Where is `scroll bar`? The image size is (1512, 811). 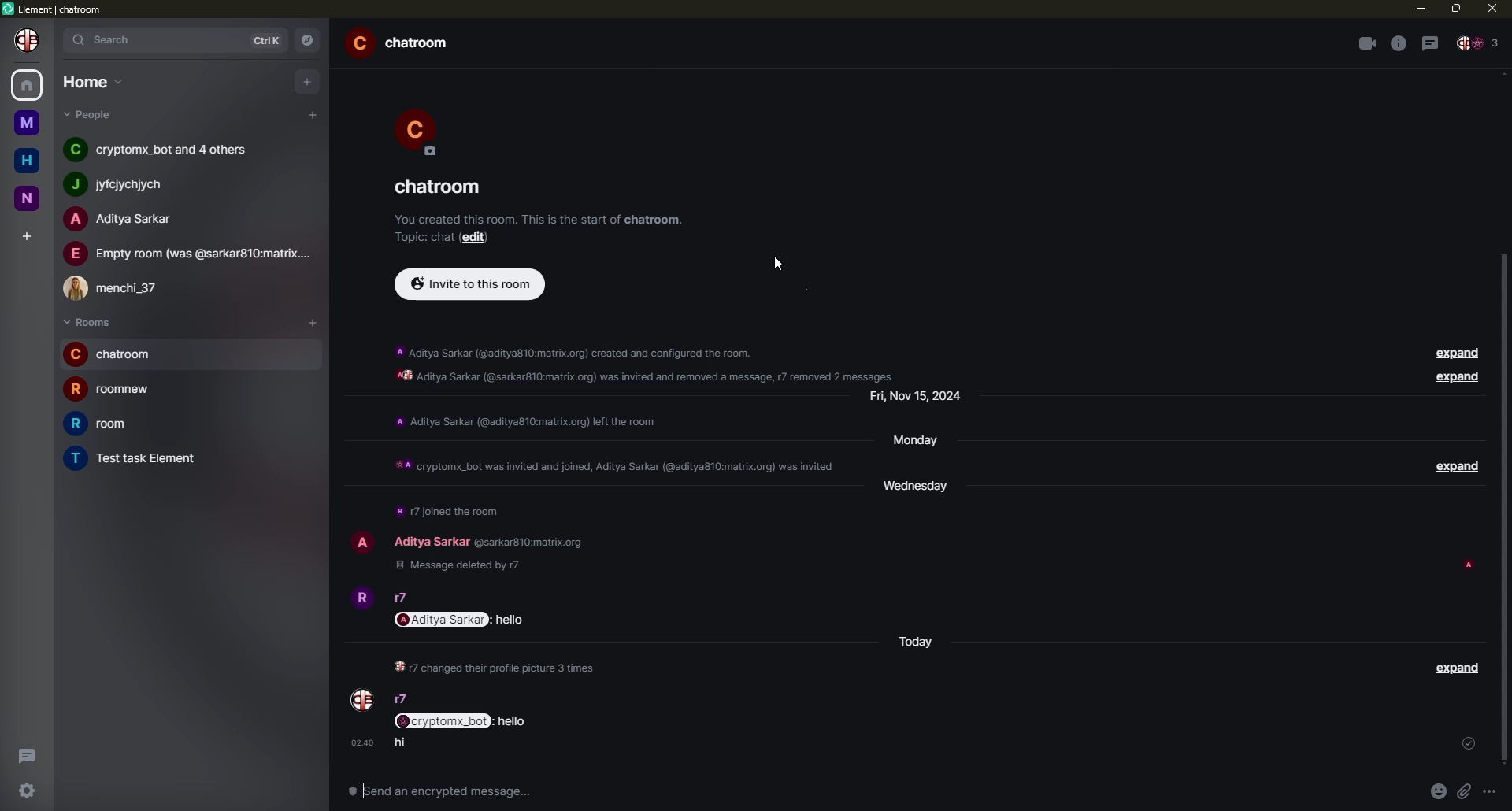
scroll bar is located at coordinates (1503, 503).